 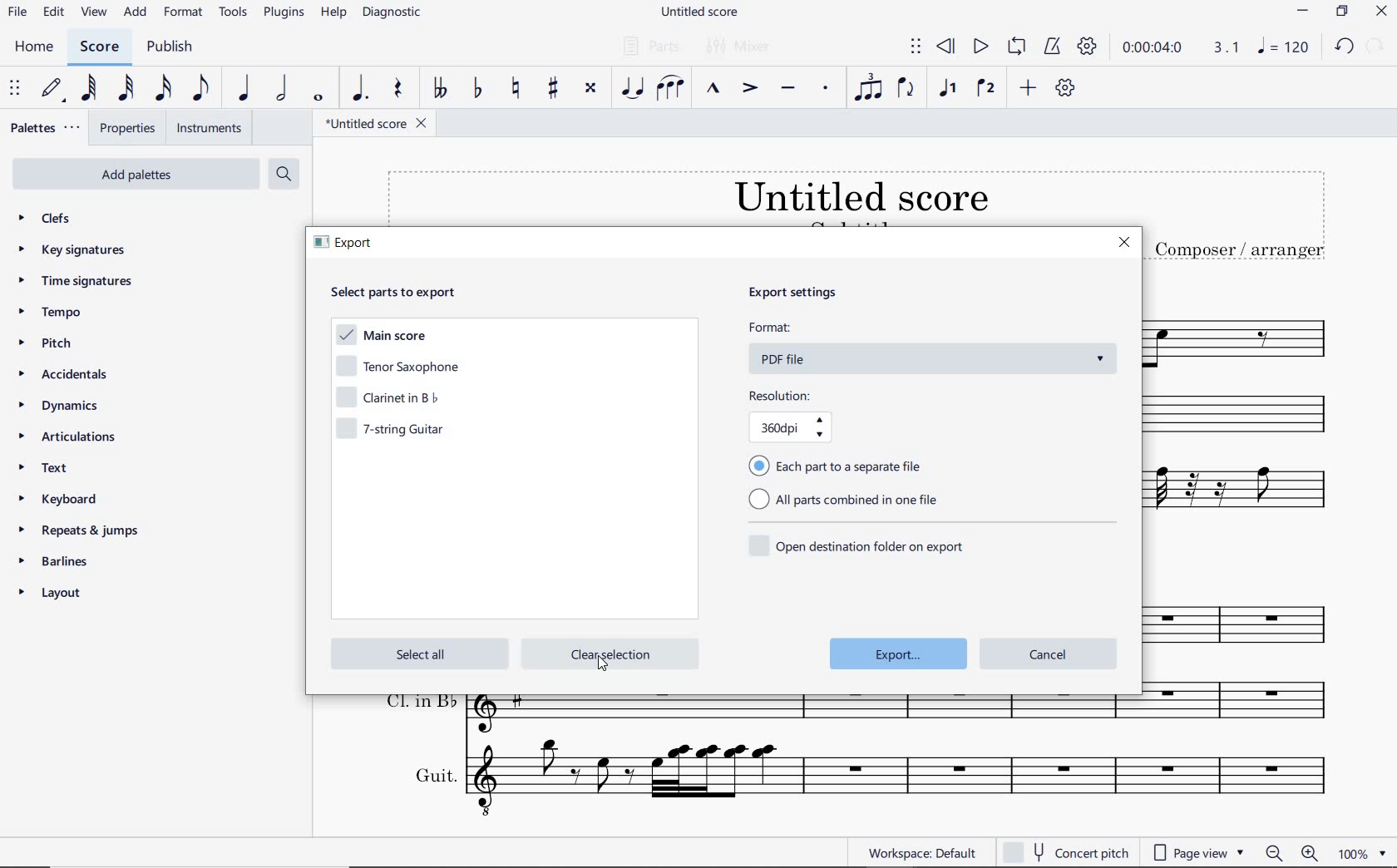 What do you see at coordinates (650, 46) in the screenshot?
I see `PARTS` at bounding box center [650, 46].